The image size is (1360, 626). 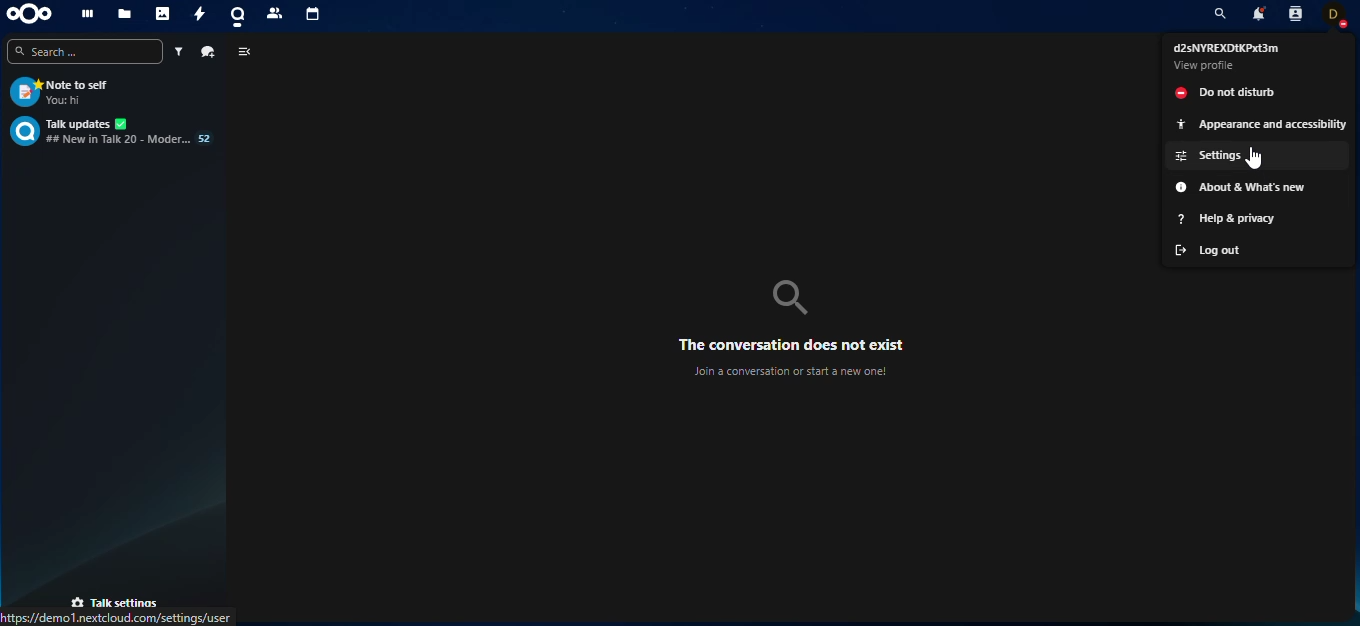 I want to click on The conversation does not exist, so click(x=791, y=345).